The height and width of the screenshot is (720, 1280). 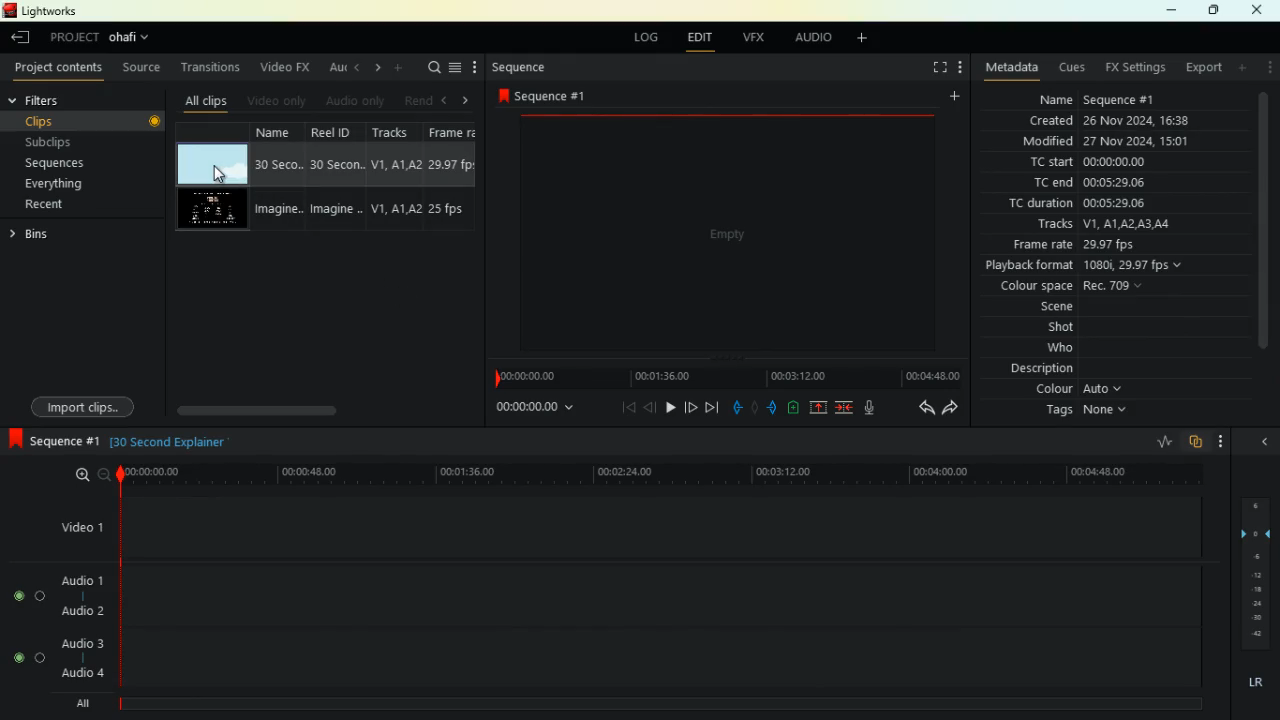 I want to click on tracks V1, A1, A2, A3, A4, so click(x=1113, y=225).